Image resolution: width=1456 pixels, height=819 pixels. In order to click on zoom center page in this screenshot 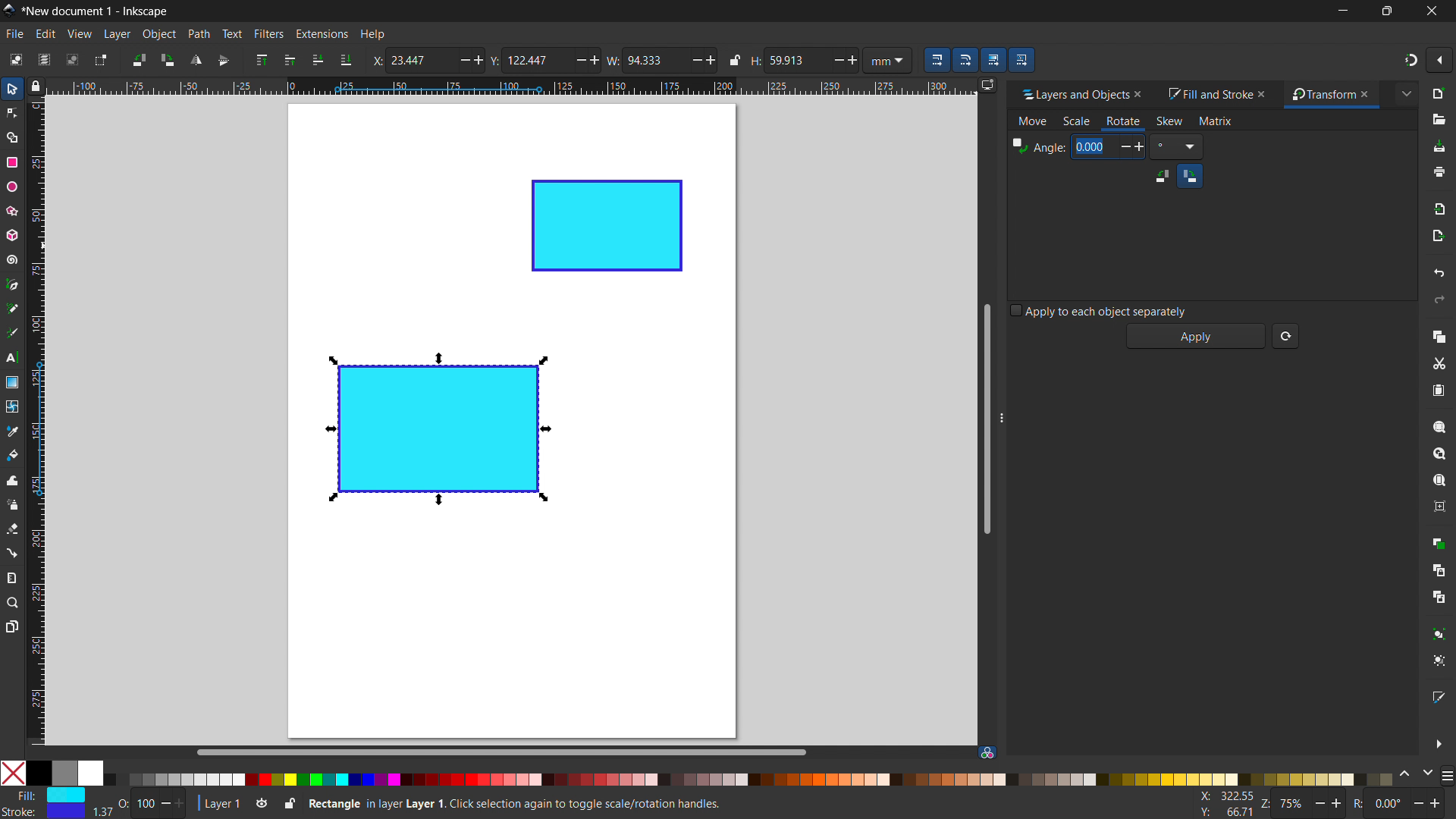, I will do `click(1439, 507)`.